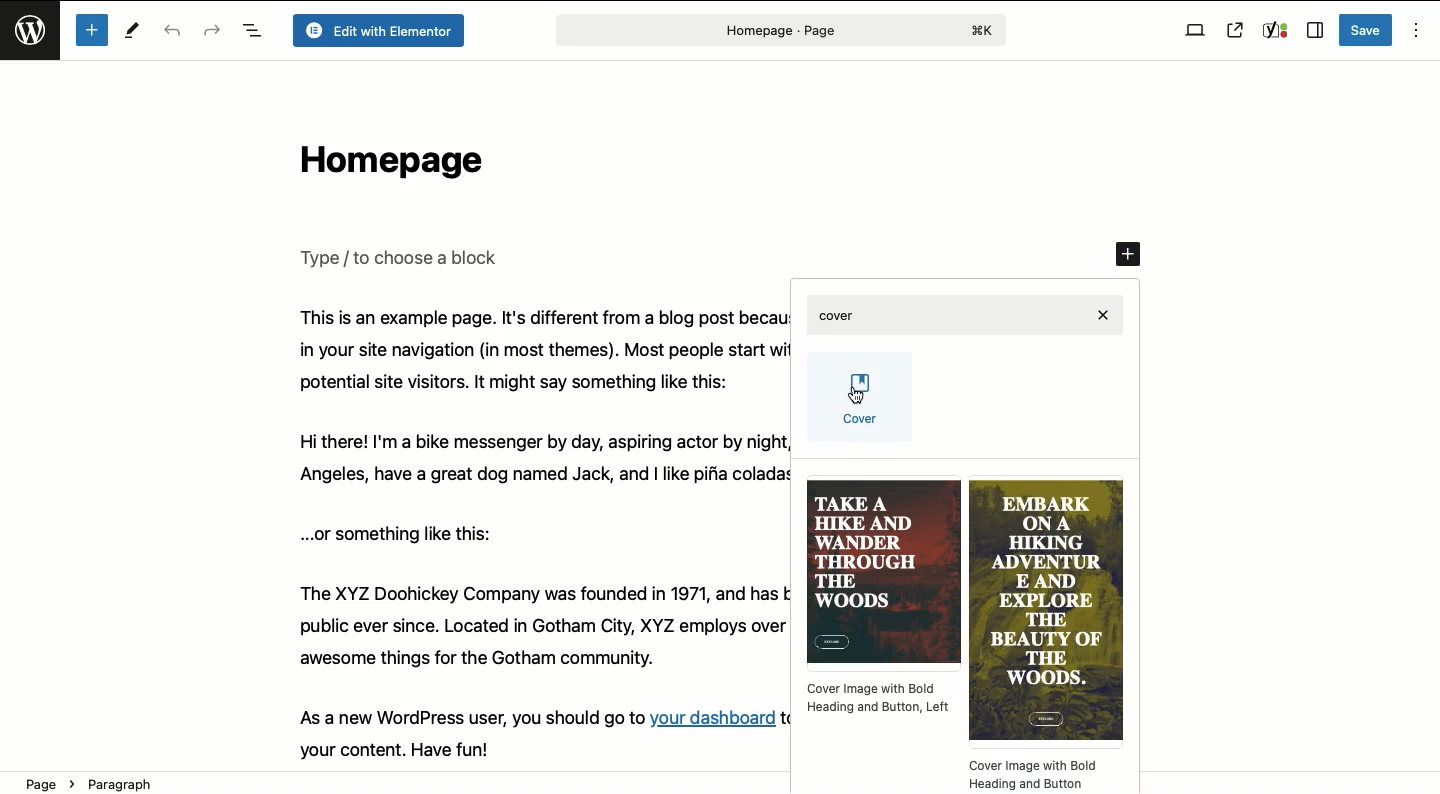 The image size is (1440, 794). Describe the element at coordinates (883, 598) in the screenshot. I see `Template` at that location.